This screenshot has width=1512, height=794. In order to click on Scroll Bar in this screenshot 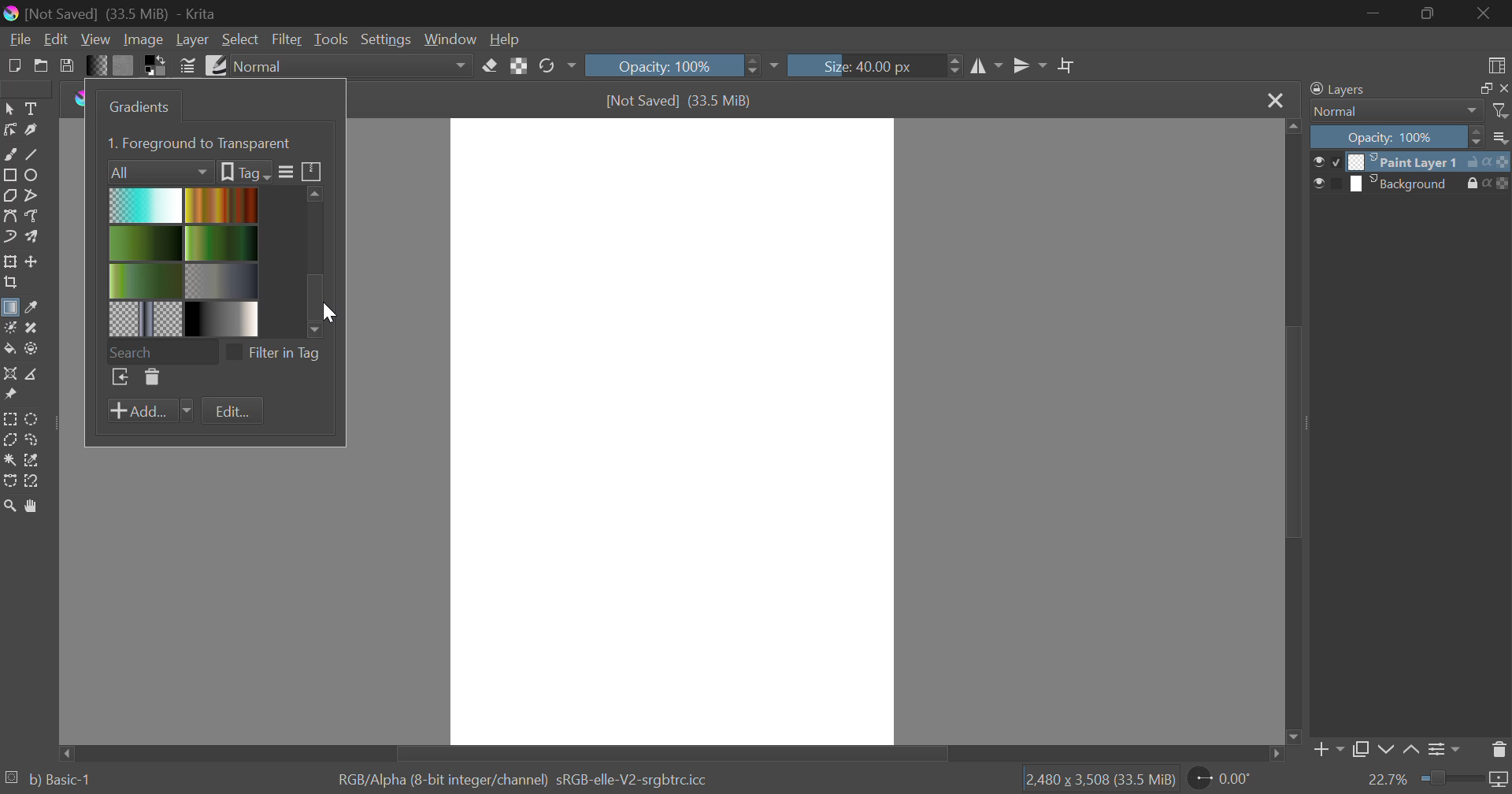, I will do `click(674, 752)`.